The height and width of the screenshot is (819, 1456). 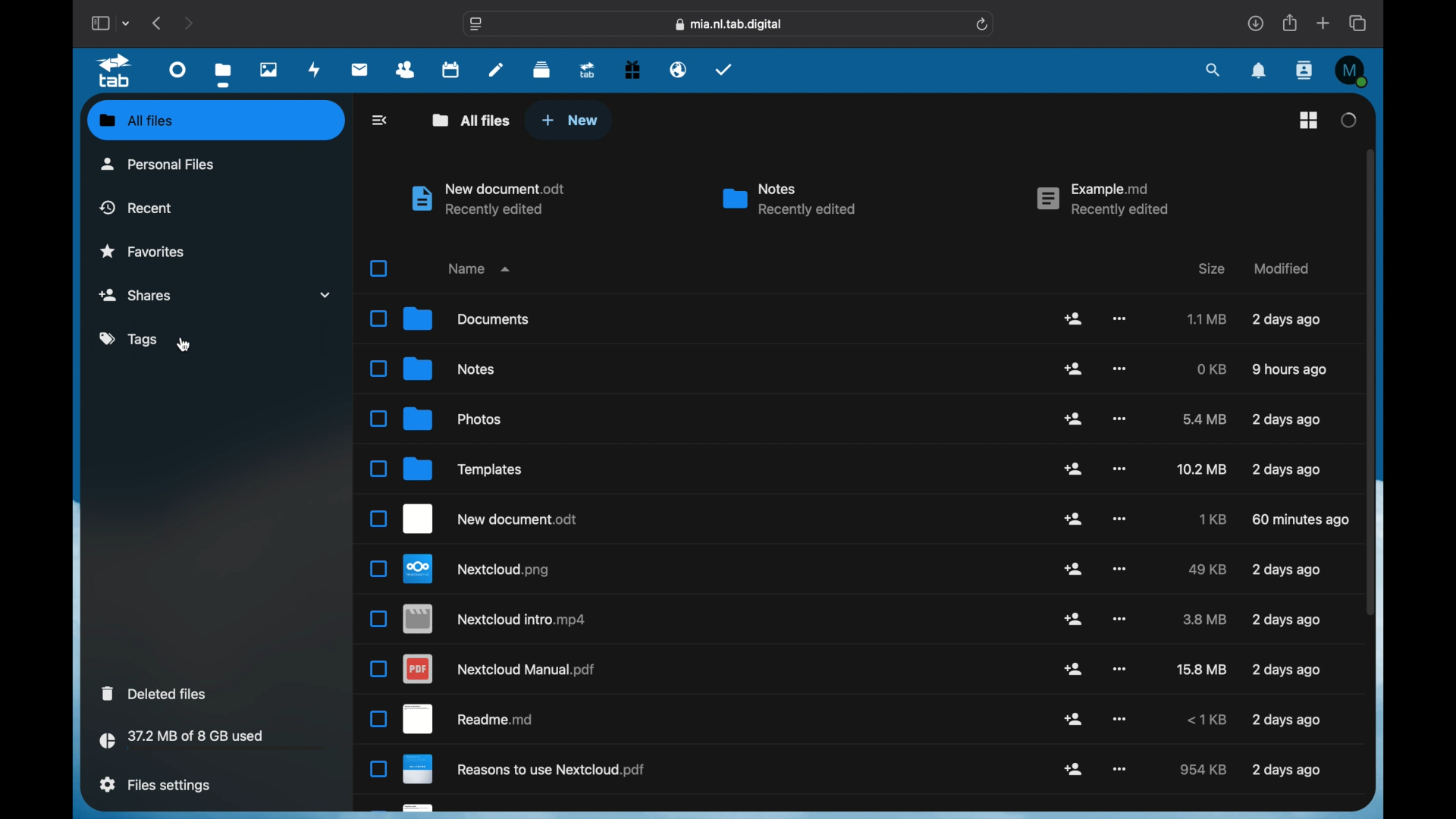 I want to click on back, so click(x=378, y=120).